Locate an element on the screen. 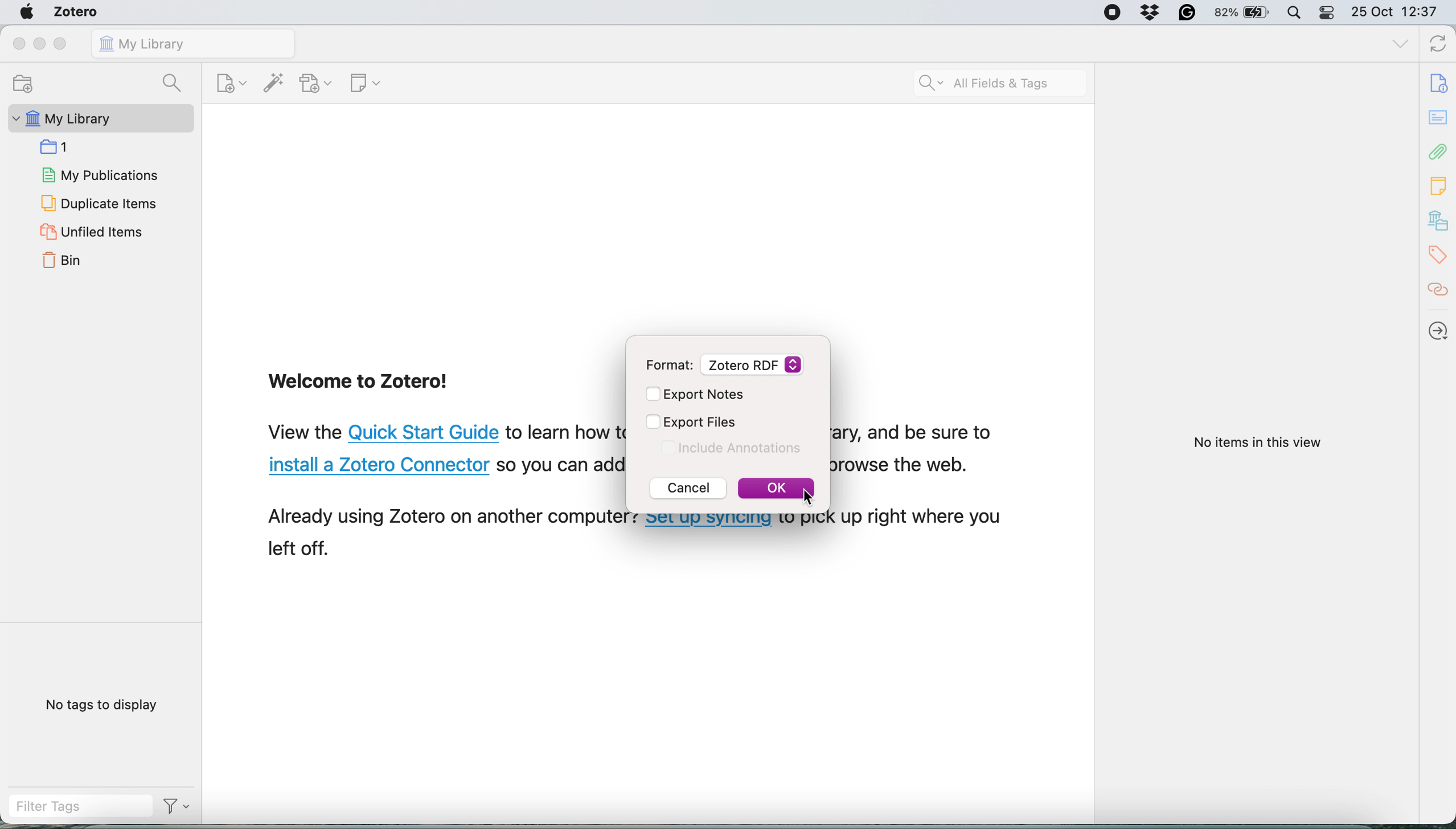  Cursor Position is located at coordinates (810, 496).